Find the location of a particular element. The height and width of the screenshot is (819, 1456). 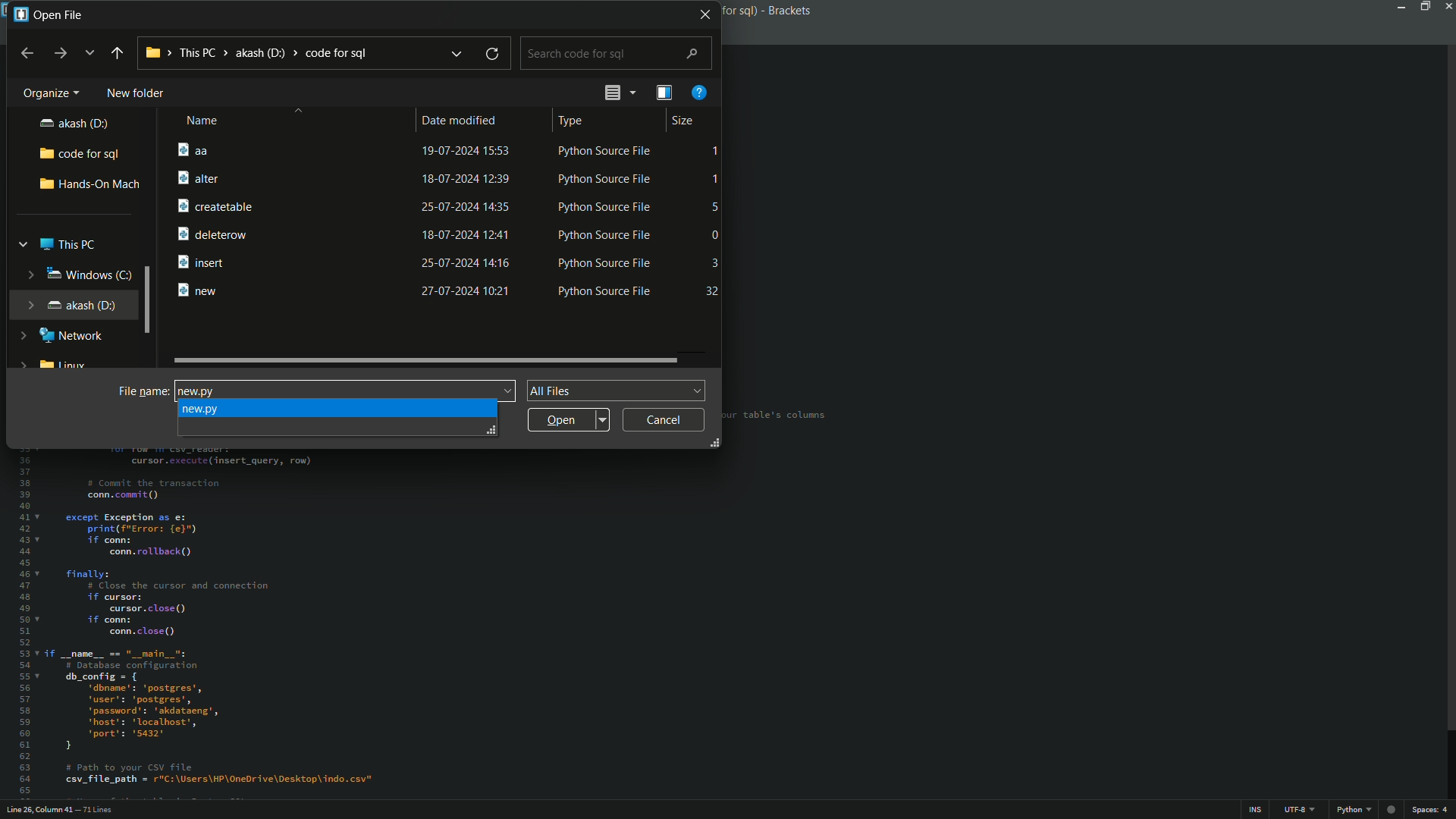

code for sql is located at coordinates (80, 152).